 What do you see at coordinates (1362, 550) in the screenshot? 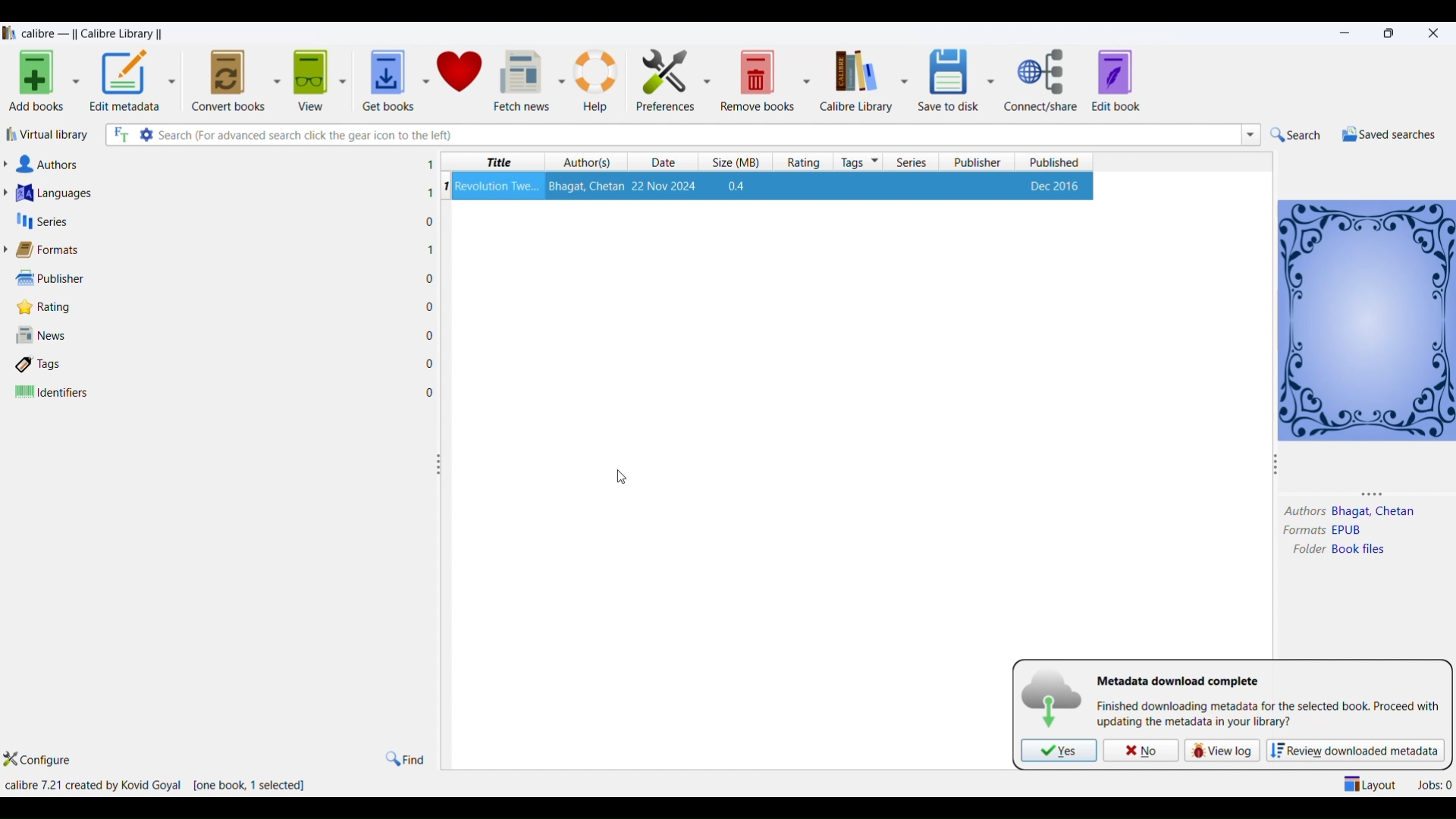
I see `folder name` at bounding box center [1362, 550].